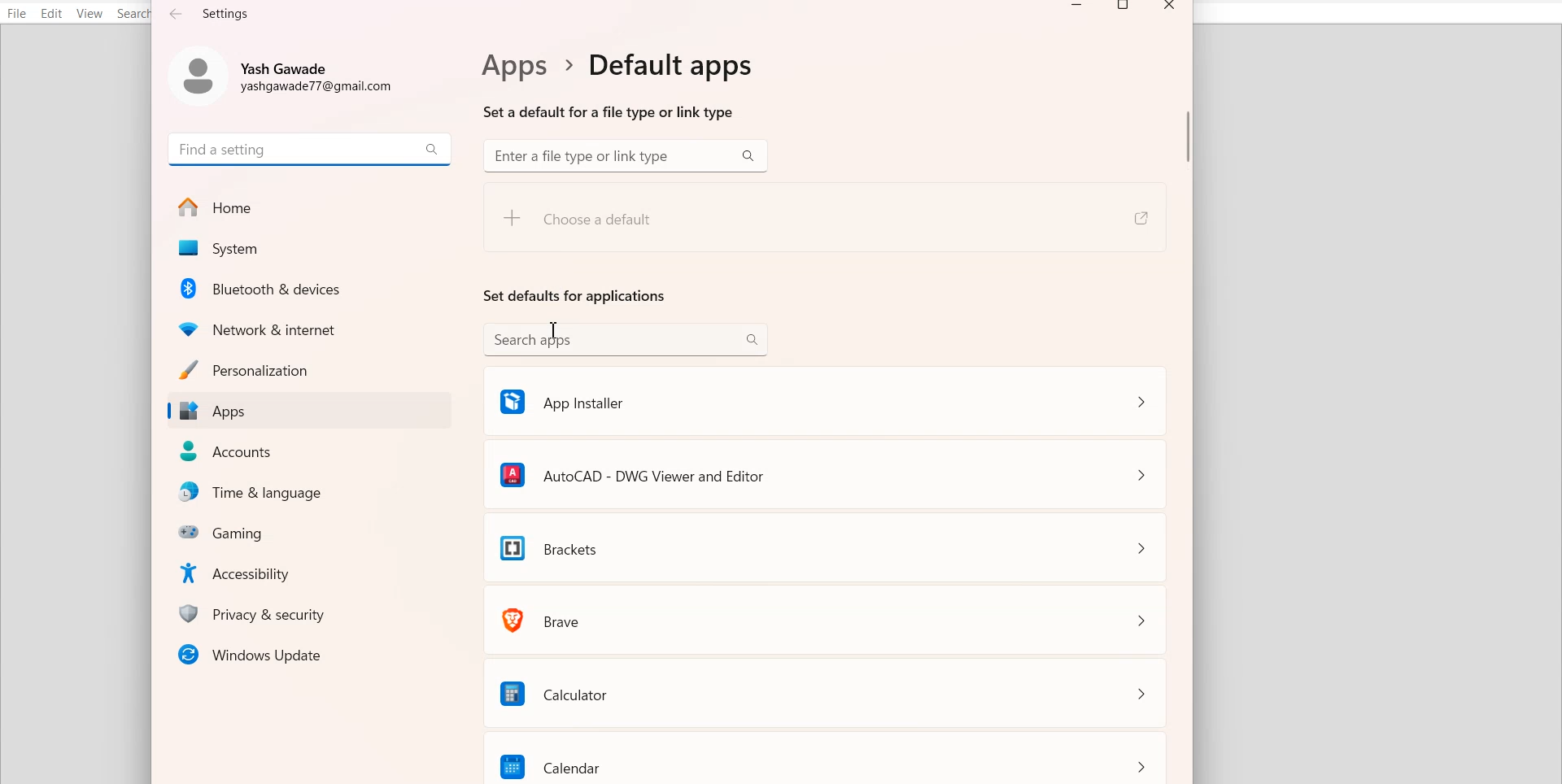 The image size is (1562, 784). Describe the element at coordinates (556, 333) in the screenshot. I see `Cursor` at that location.